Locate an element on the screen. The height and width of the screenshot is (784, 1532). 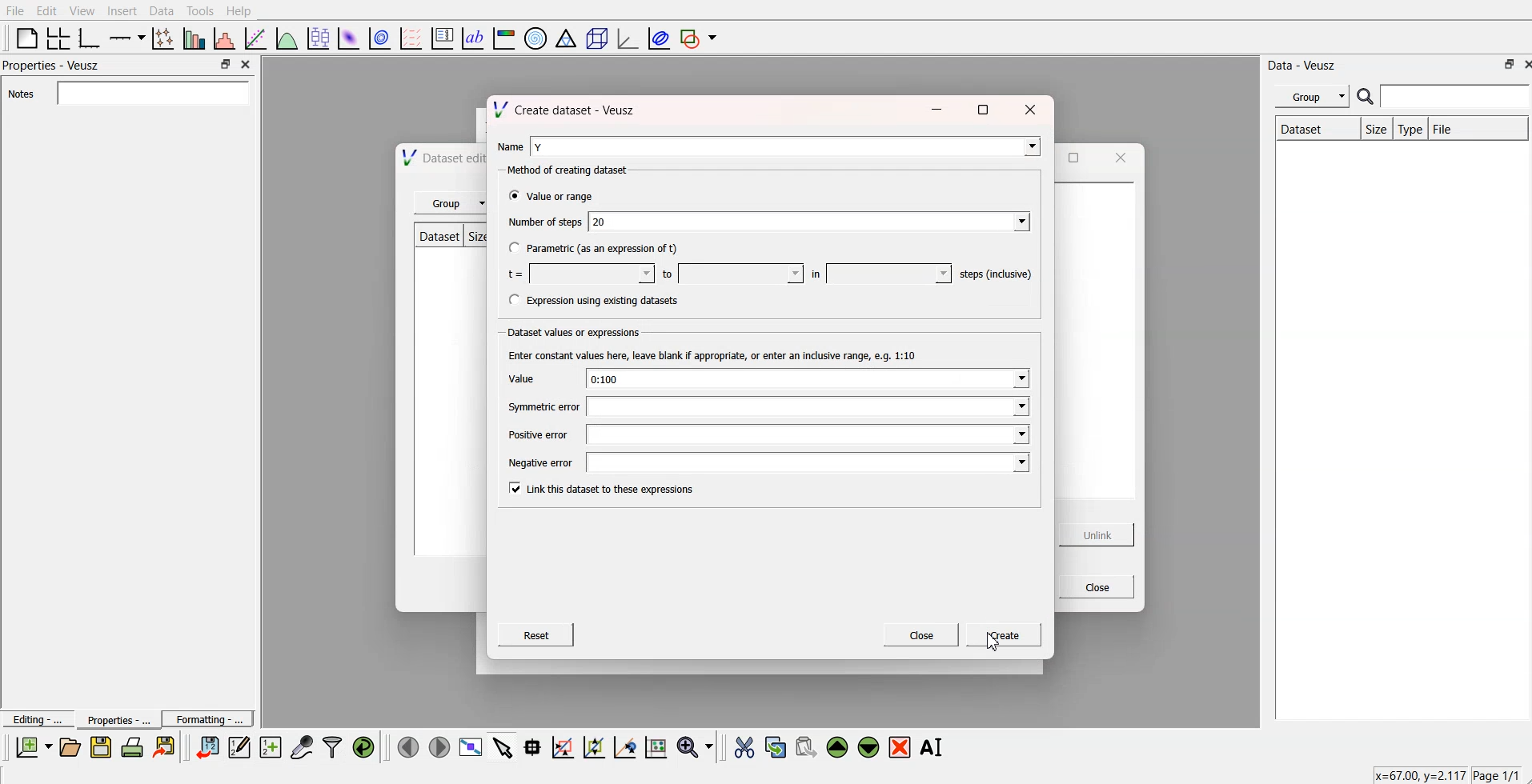
0:100 is located at coordinates (806, 380).